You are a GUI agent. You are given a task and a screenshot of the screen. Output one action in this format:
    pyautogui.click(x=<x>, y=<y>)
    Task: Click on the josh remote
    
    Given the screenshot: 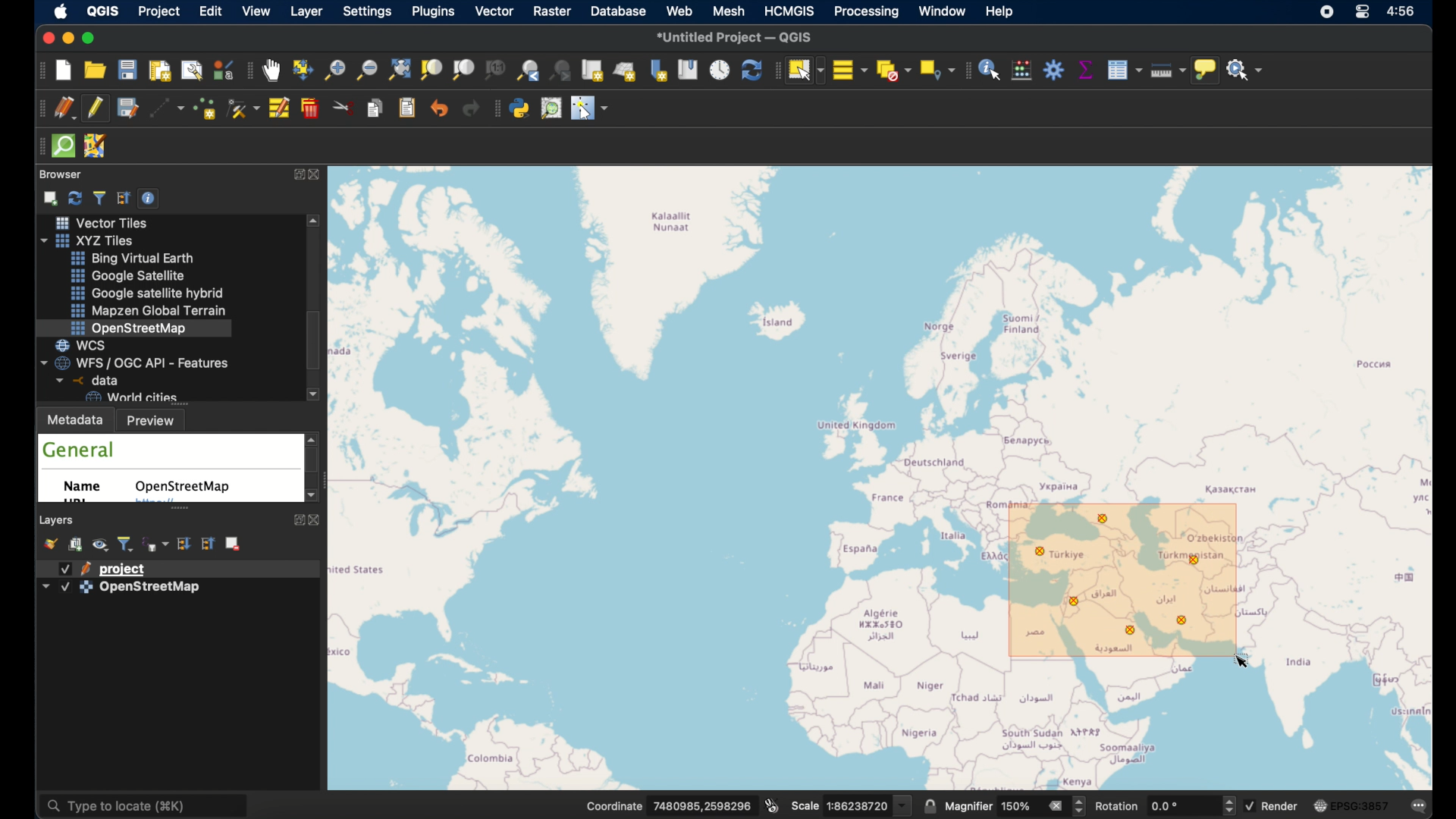 What is the action you would take?
    pyautogui.click(x=96, y=146)
    